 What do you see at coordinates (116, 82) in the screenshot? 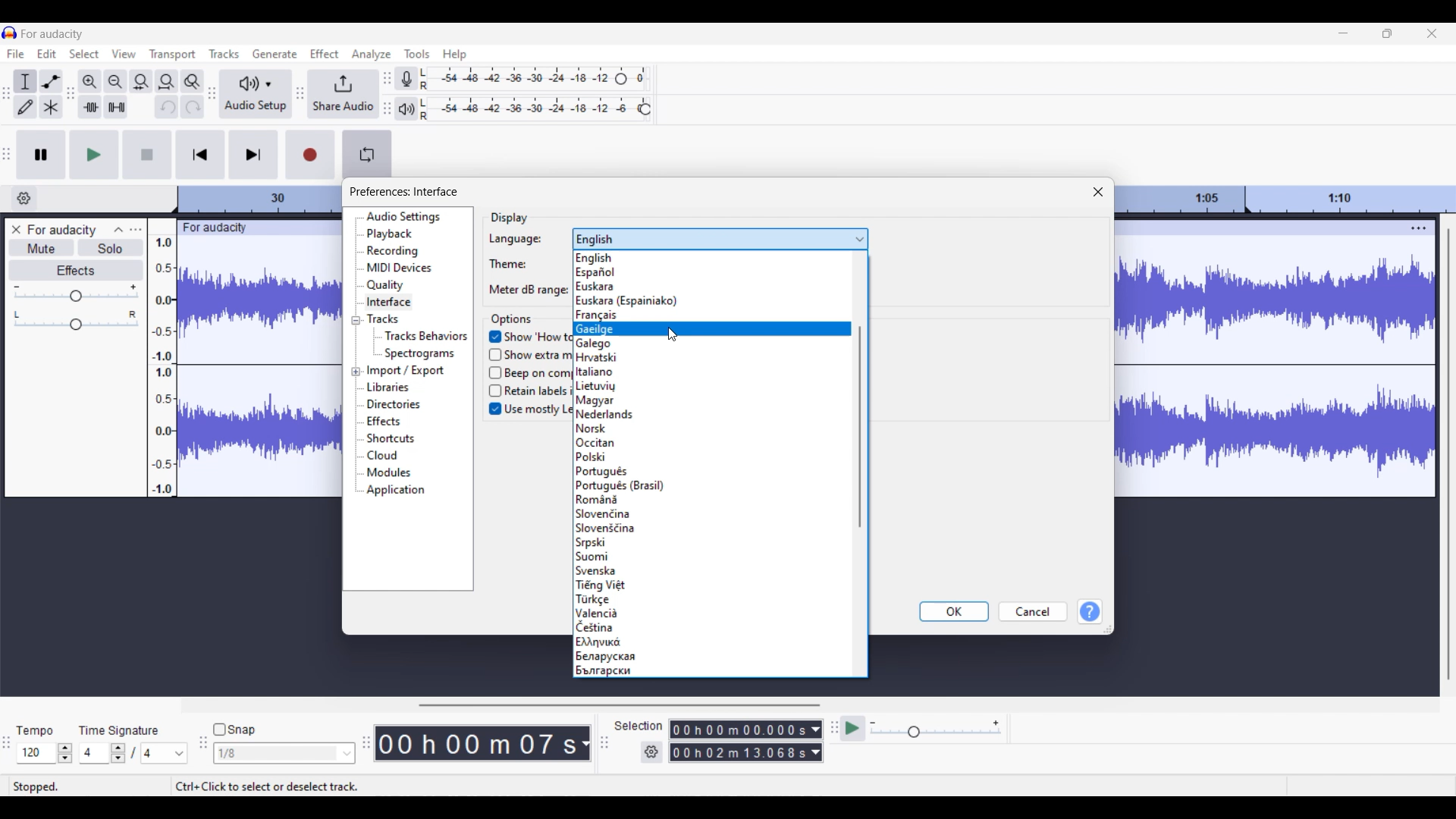
I see `Zoom out` at bounding box center [116, 82].